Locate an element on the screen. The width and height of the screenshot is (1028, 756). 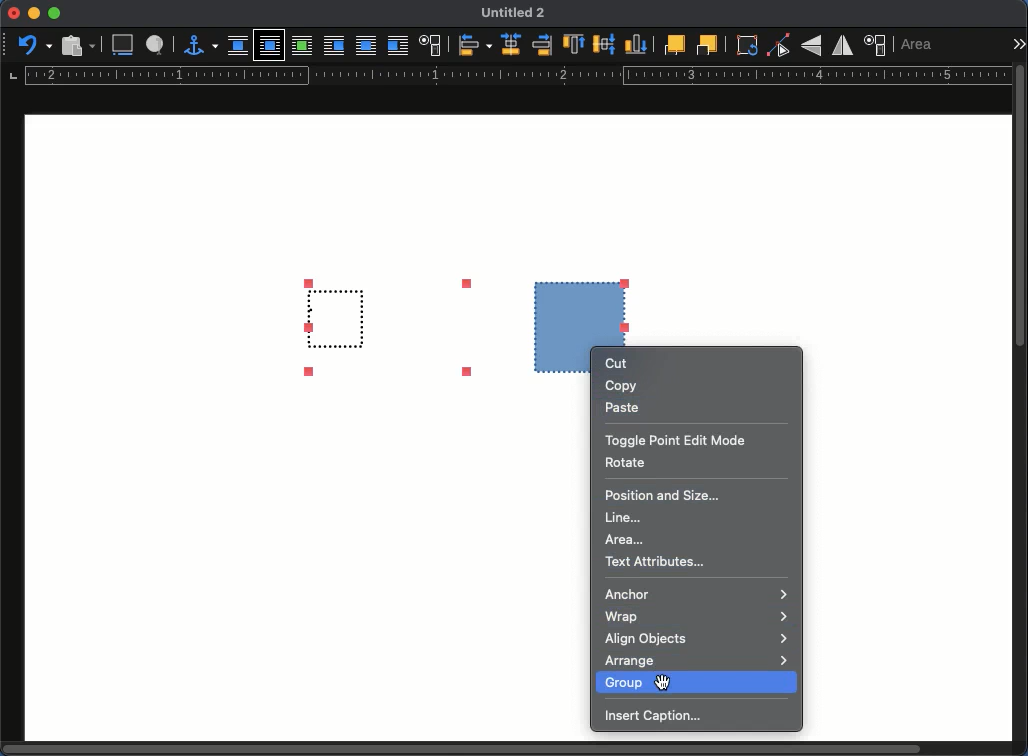
area is located at coordinates (623, 540).